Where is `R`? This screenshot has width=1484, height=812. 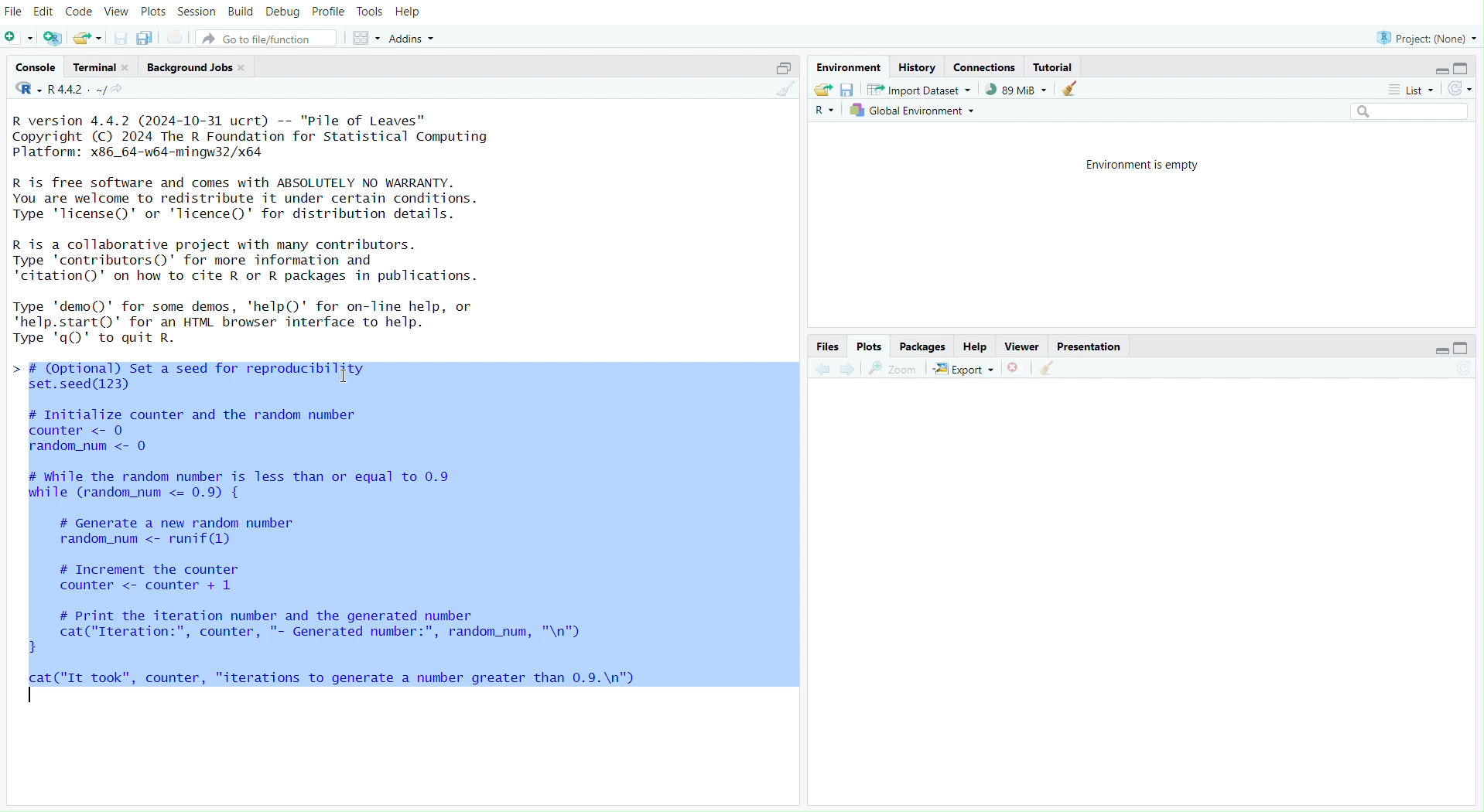
R is located at coordinates (22, 90).